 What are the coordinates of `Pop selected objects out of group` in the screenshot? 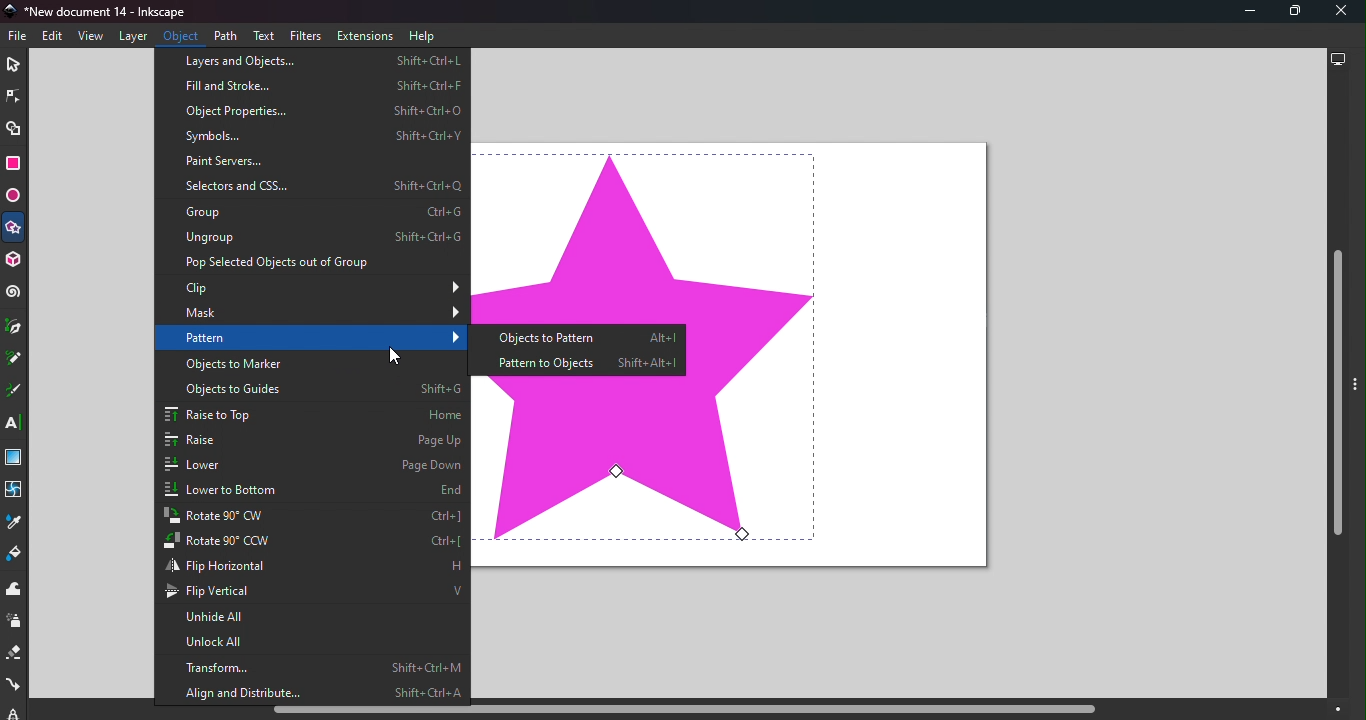 It's located at (320, 261).